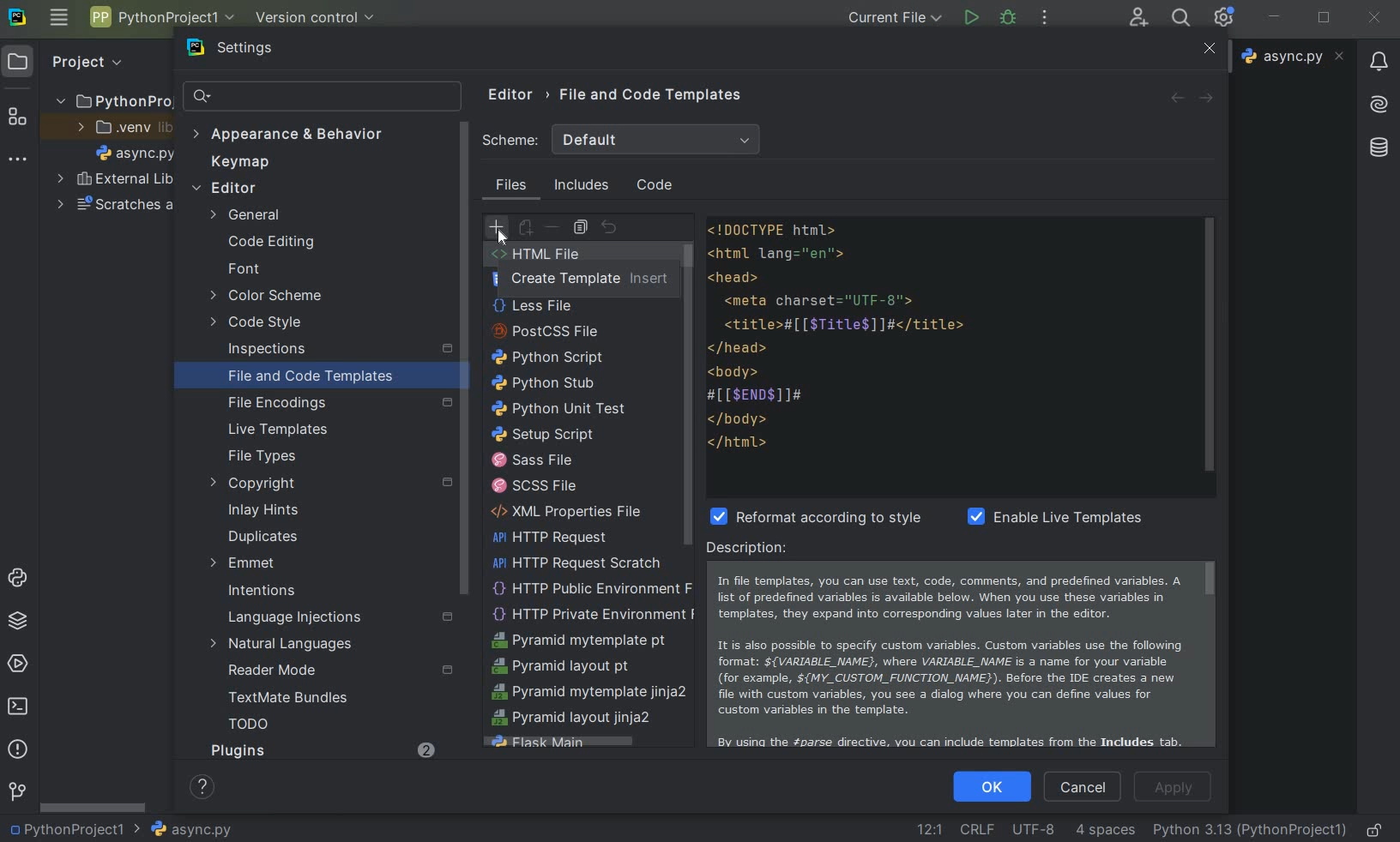 Image resolution: width=1400 pixels, height=842 pixels. Describe the element at coordinates (688, 396) in the screenshot. I see `scrollbar` at that location.